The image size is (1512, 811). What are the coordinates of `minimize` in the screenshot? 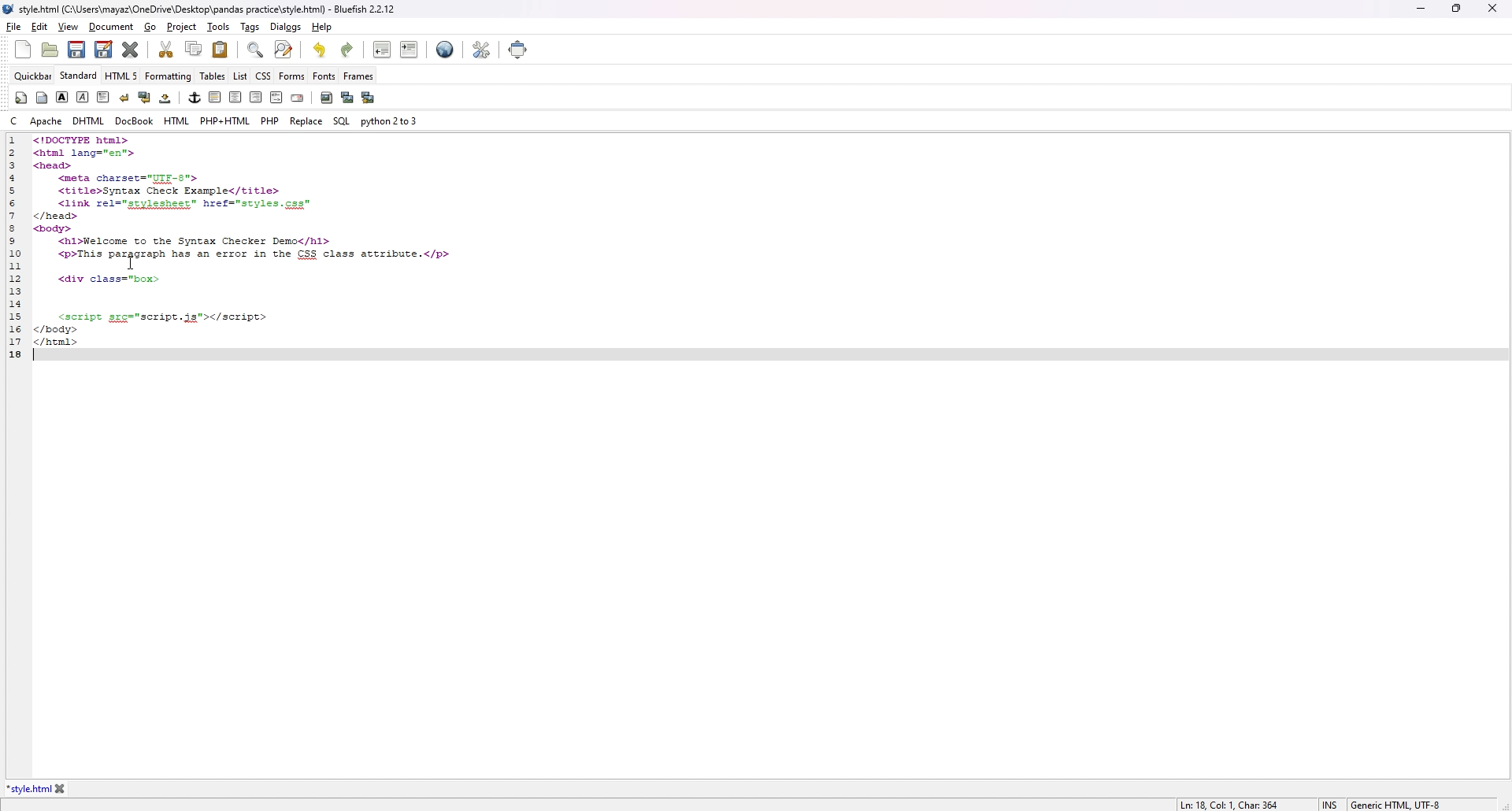 It's located at (1420, 9).